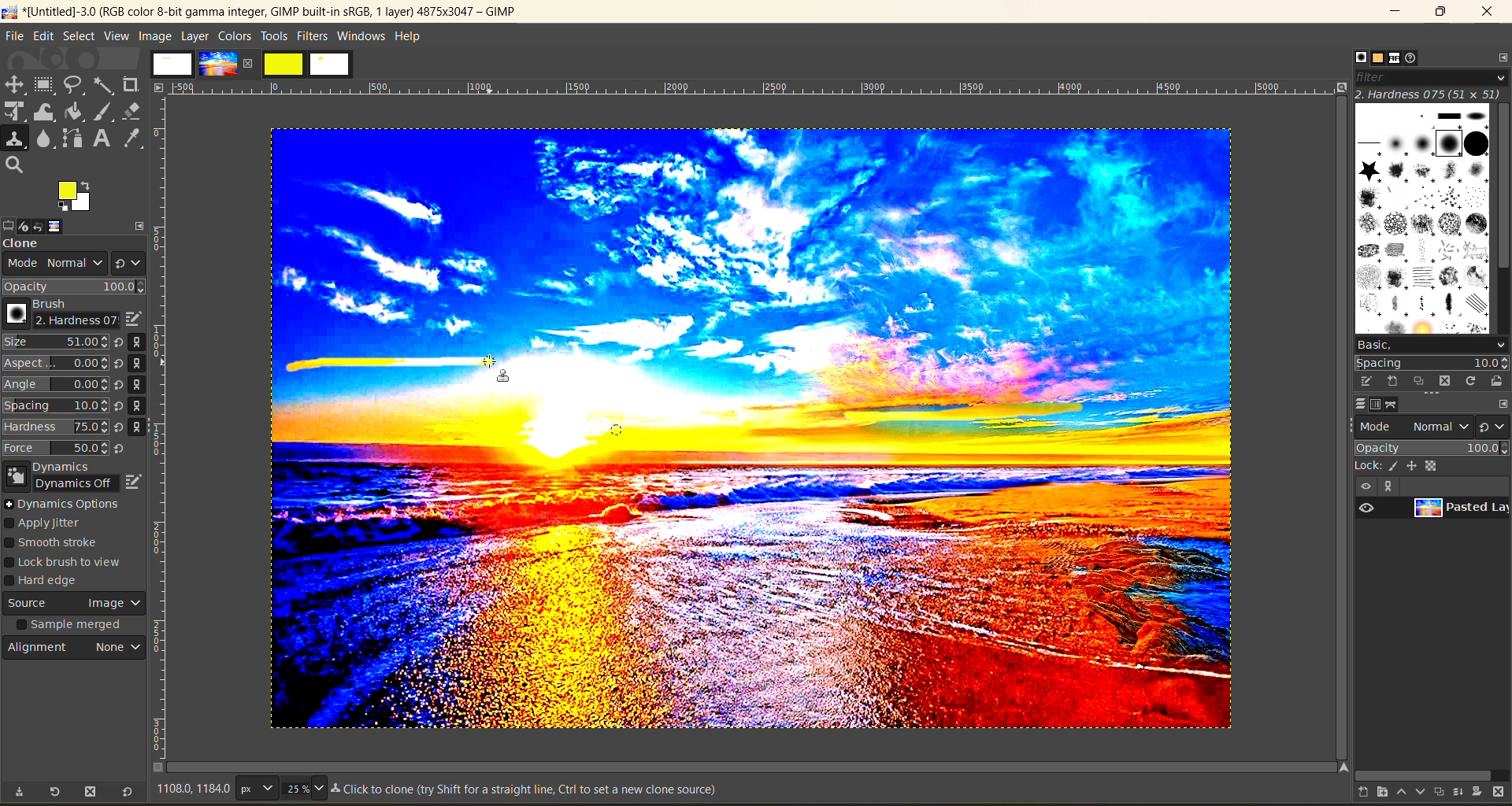 Image resolution: width=1512 pixels, height=806 pixels. What do you see at coordinates (76, 198) in the screenshot?
I see `active foreground and background color` at bounding box center [76, 198].